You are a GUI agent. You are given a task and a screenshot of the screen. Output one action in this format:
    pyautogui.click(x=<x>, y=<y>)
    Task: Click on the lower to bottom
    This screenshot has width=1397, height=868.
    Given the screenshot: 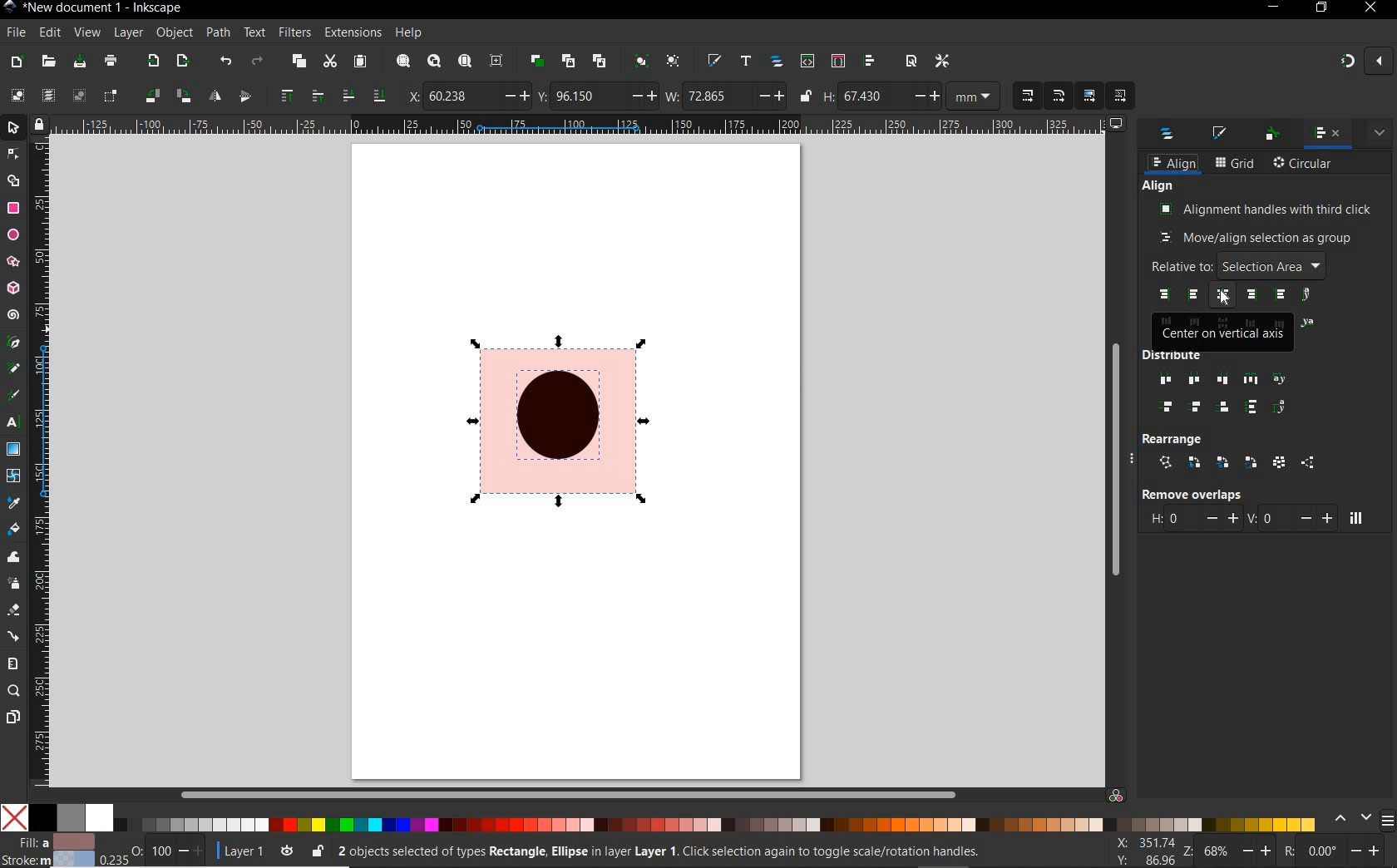 What is the action you would take?
    pyautogui.click(x=378, y=94)
    